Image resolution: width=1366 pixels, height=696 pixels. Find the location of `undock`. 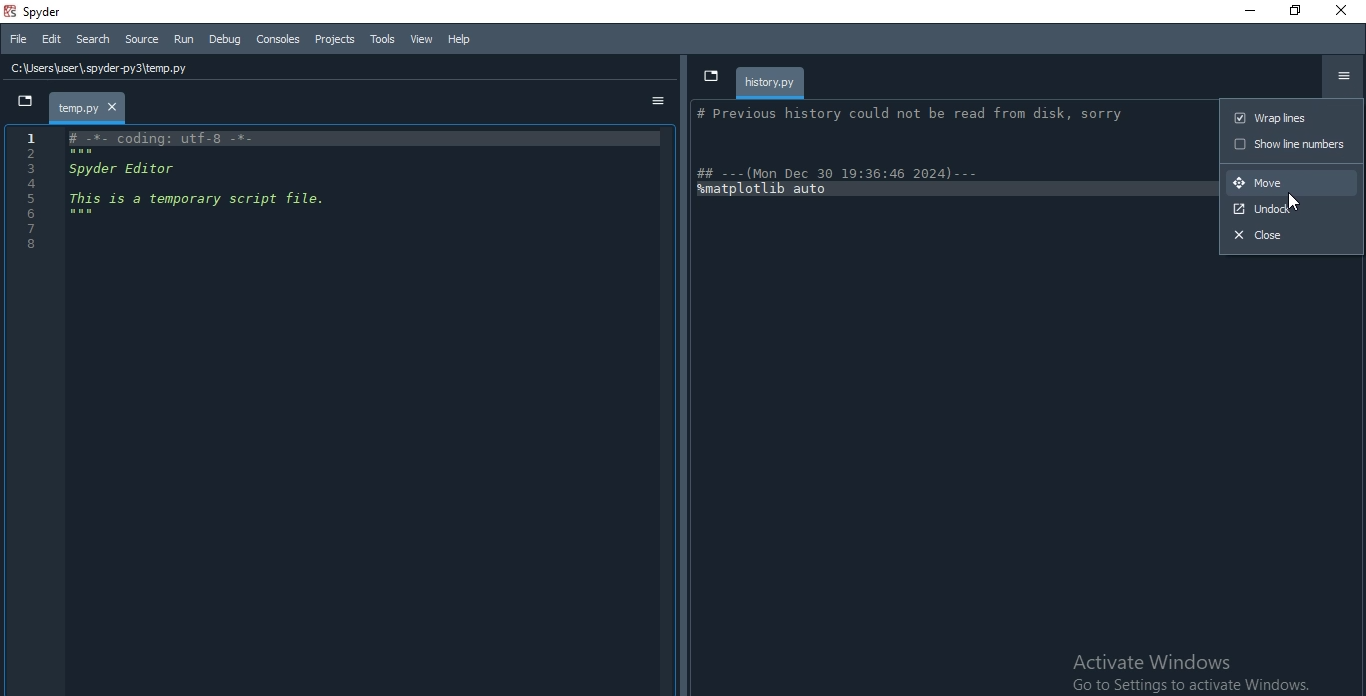

undock is located at coordinates (1294, 209).